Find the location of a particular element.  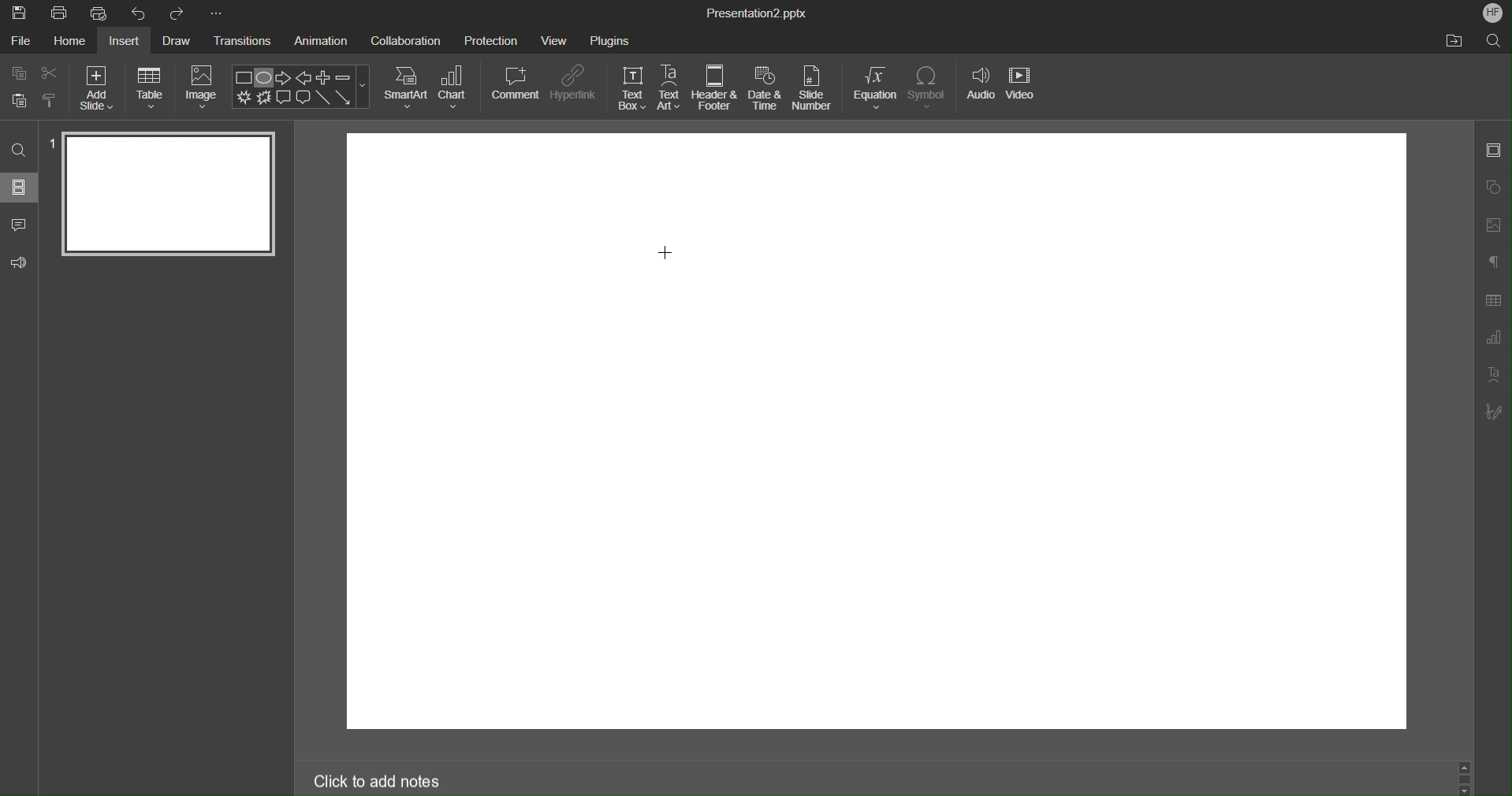

workspace is located at coordinates (873, 186).